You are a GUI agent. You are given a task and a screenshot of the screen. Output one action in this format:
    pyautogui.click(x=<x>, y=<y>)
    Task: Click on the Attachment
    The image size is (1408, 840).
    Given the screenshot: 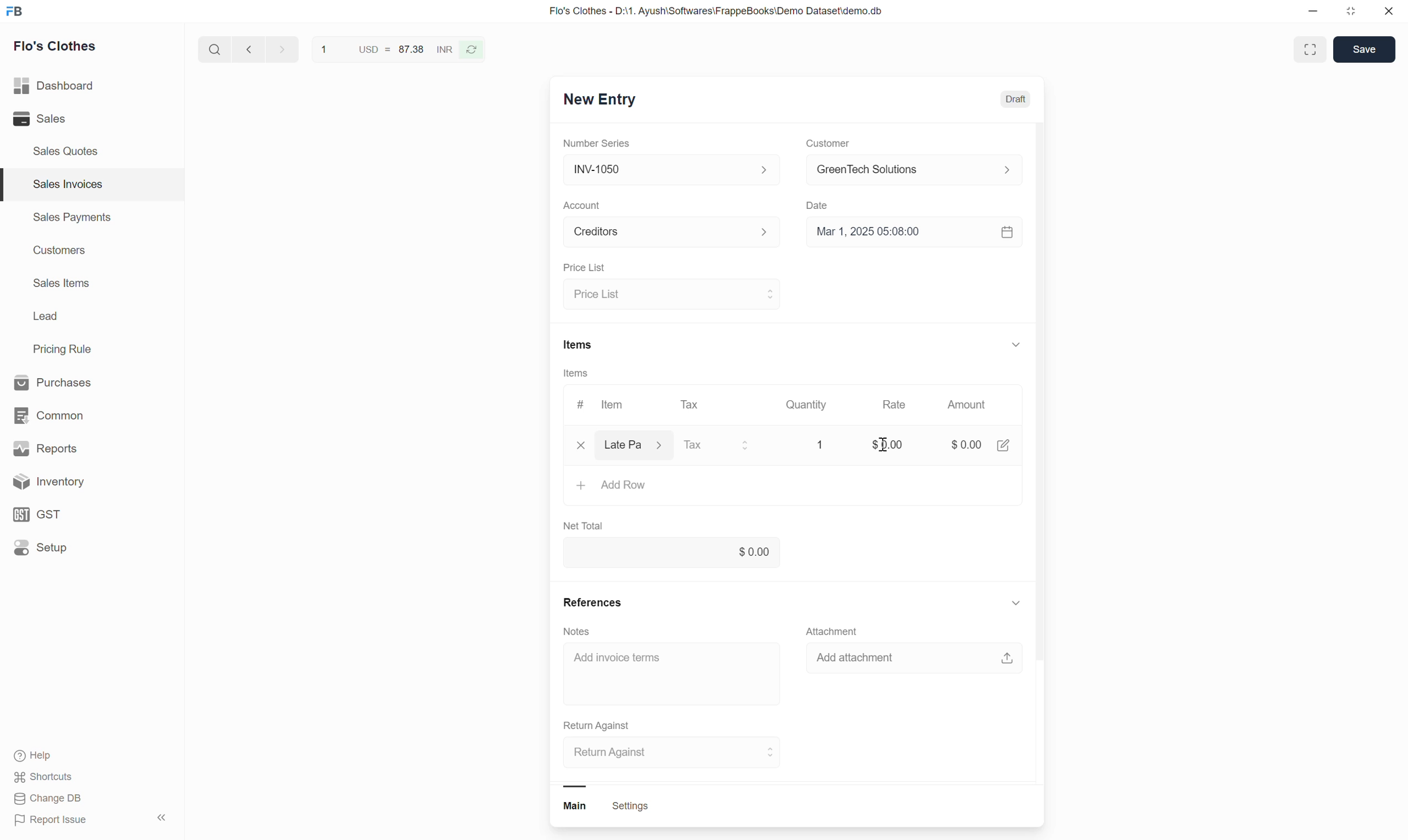 What is the action you would take?
    pyautogui.click(x=836, y=629)
    